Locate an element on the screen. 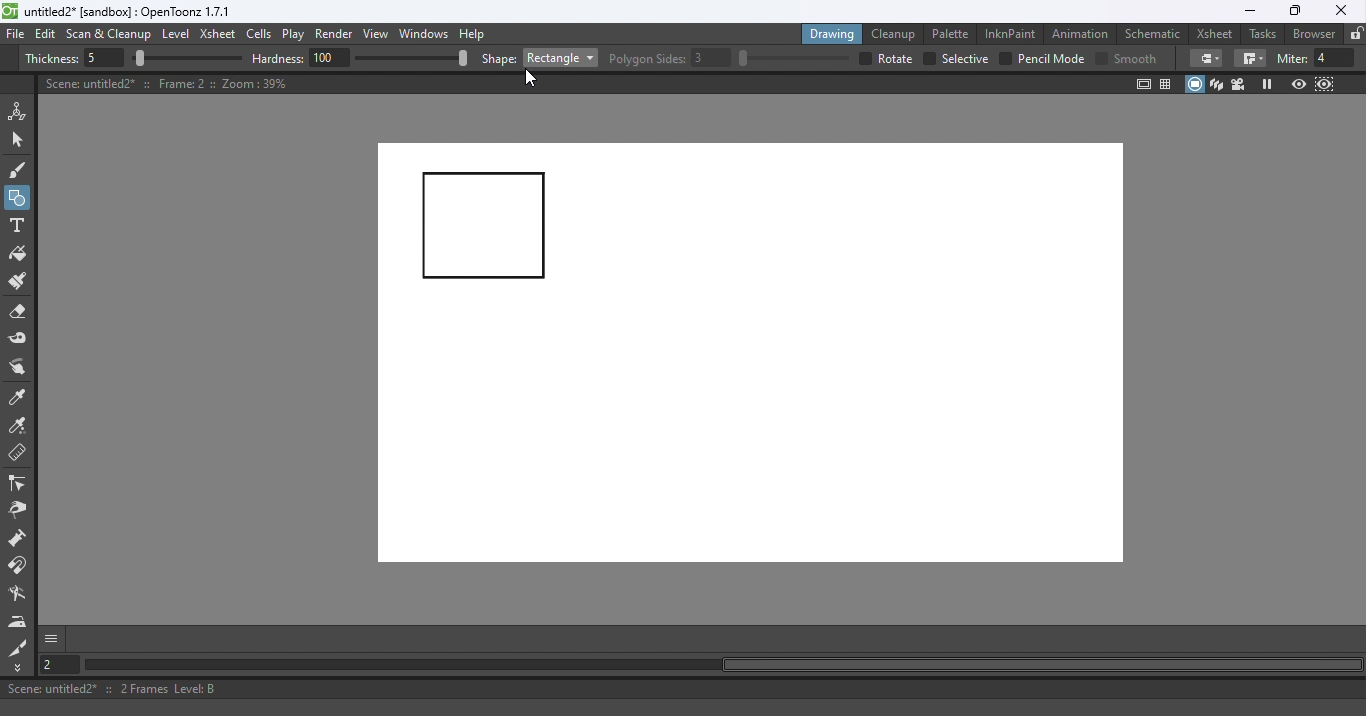 This screenshot has width=1366, height=716. Animation is located at coordinates (1083, 32).